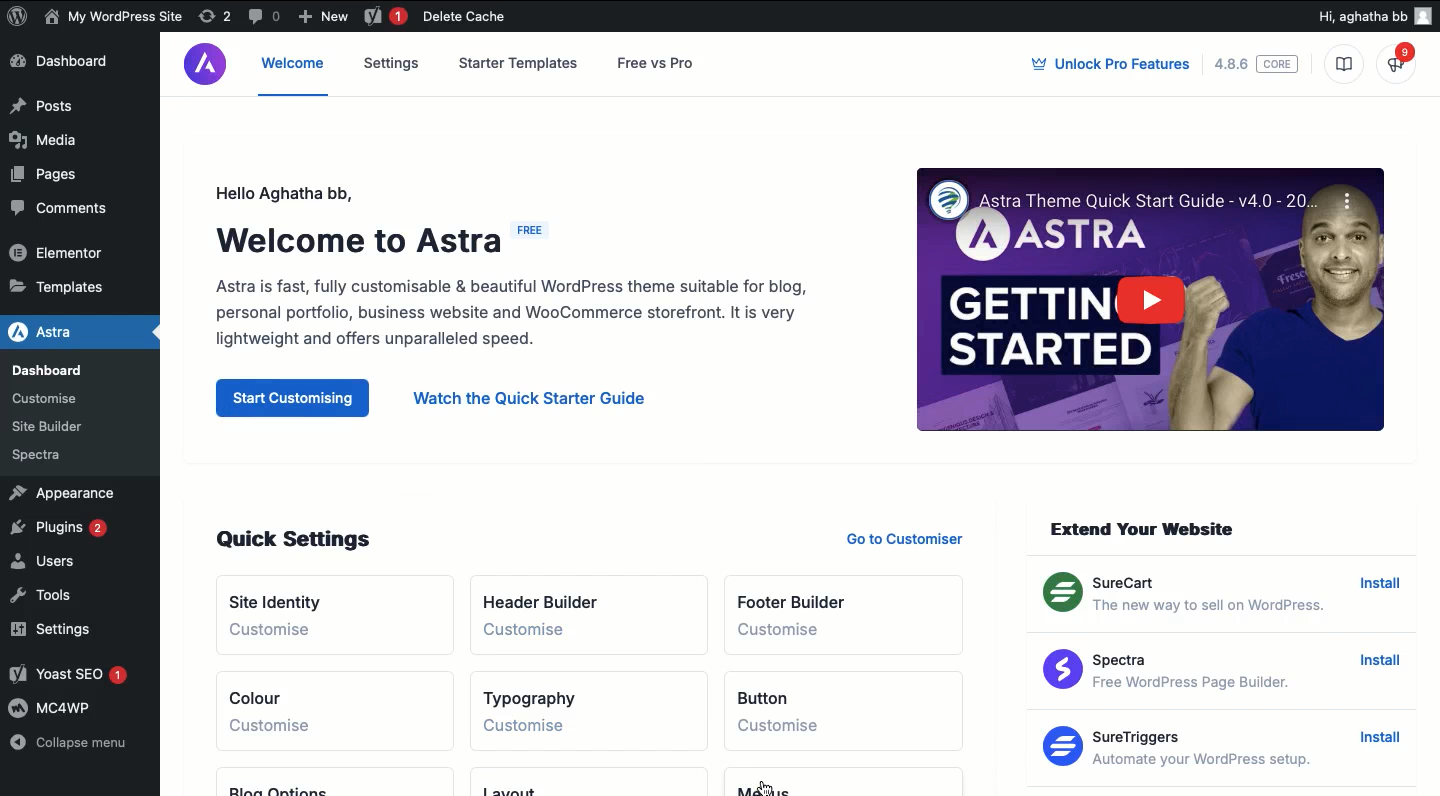 The width and height of the screenshot is (1440, 796). What do you see at coordinates (74, 107) in the screenshot?
I see `Posts` at bounding box center [74, 107].